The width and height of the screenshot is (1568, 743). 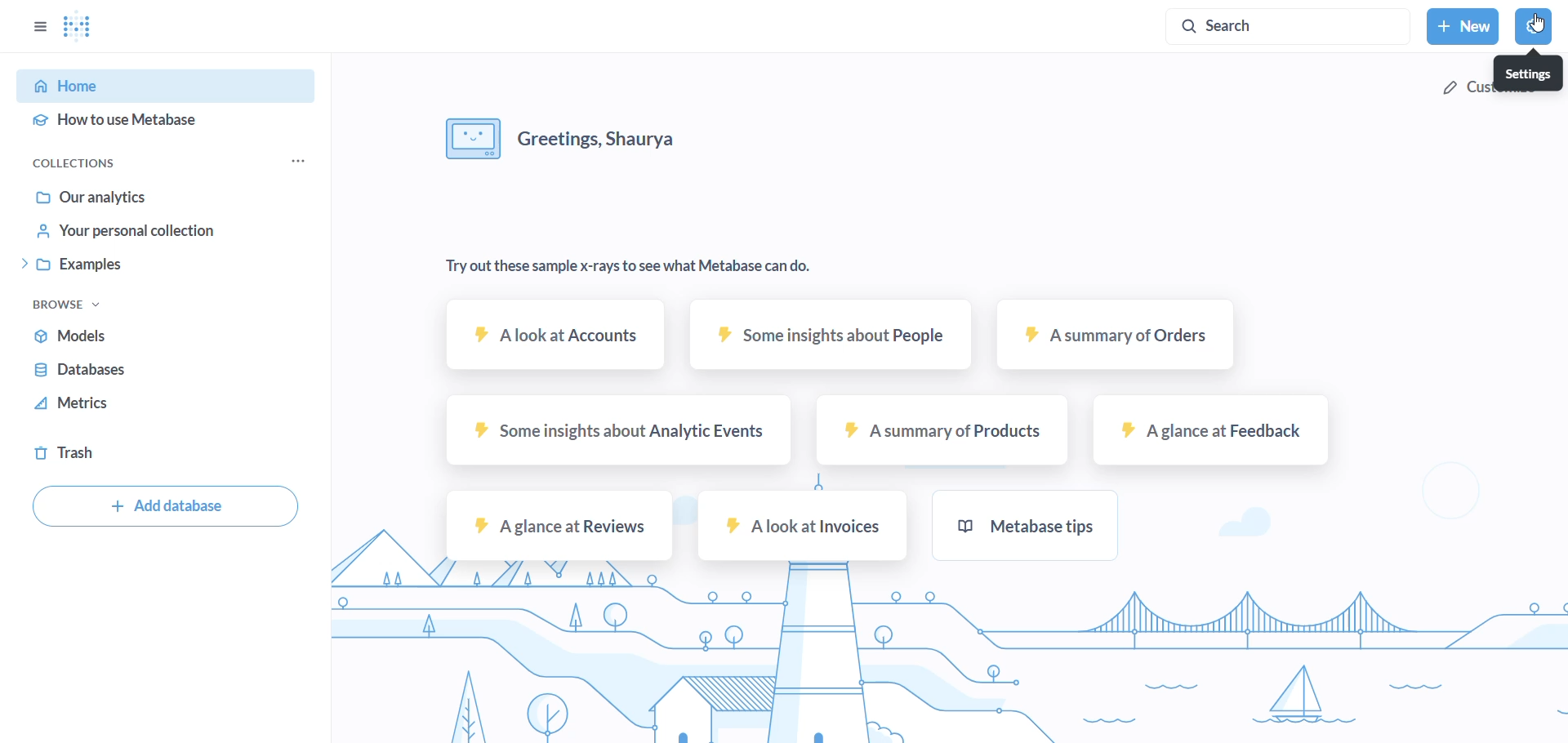 What do you see at coordinates (1276, 26) in the screenshot?
I see `search button` at bounding box center [1276, 26].